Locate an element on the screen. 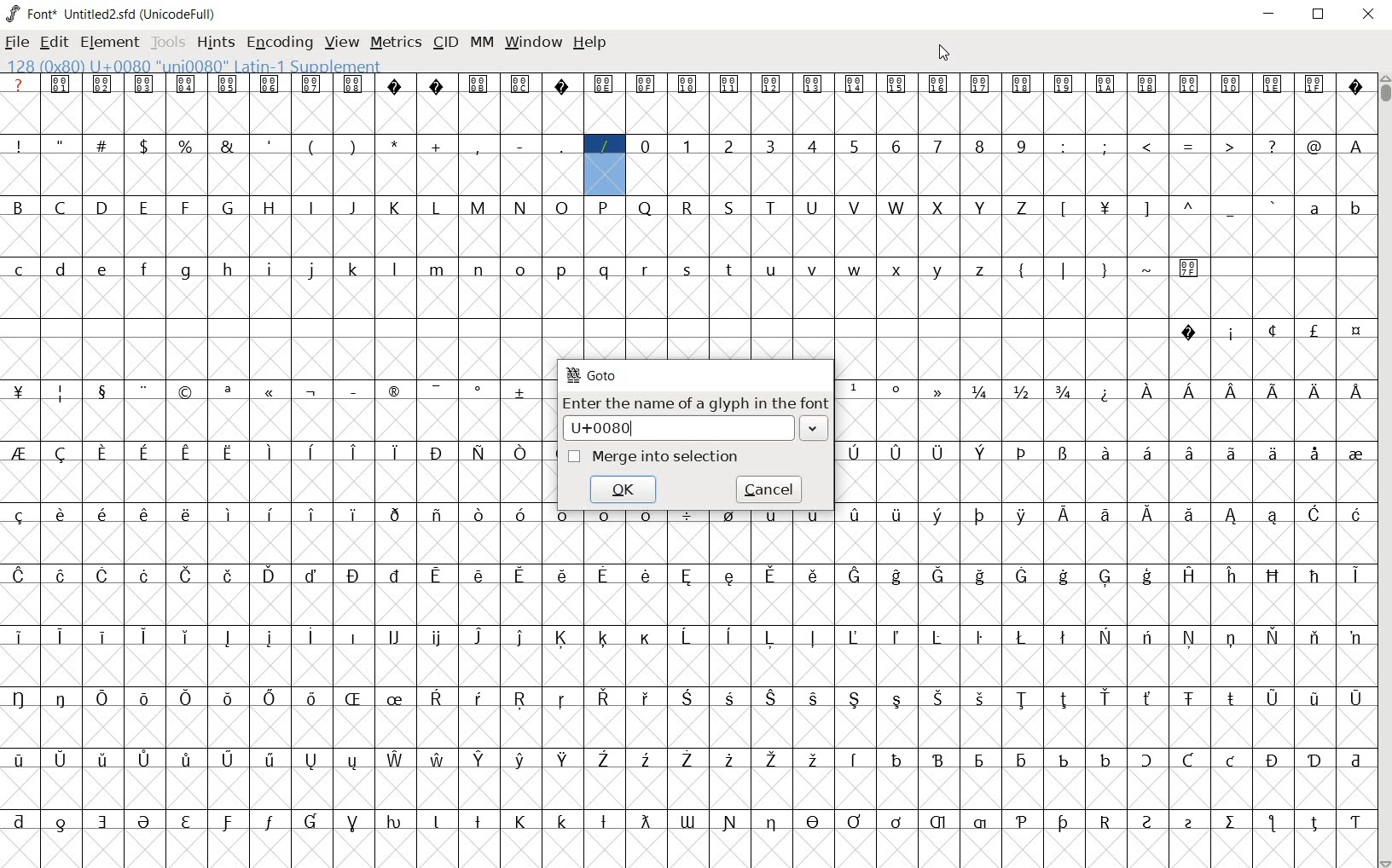  glyph is located at coordinates (853, 84).